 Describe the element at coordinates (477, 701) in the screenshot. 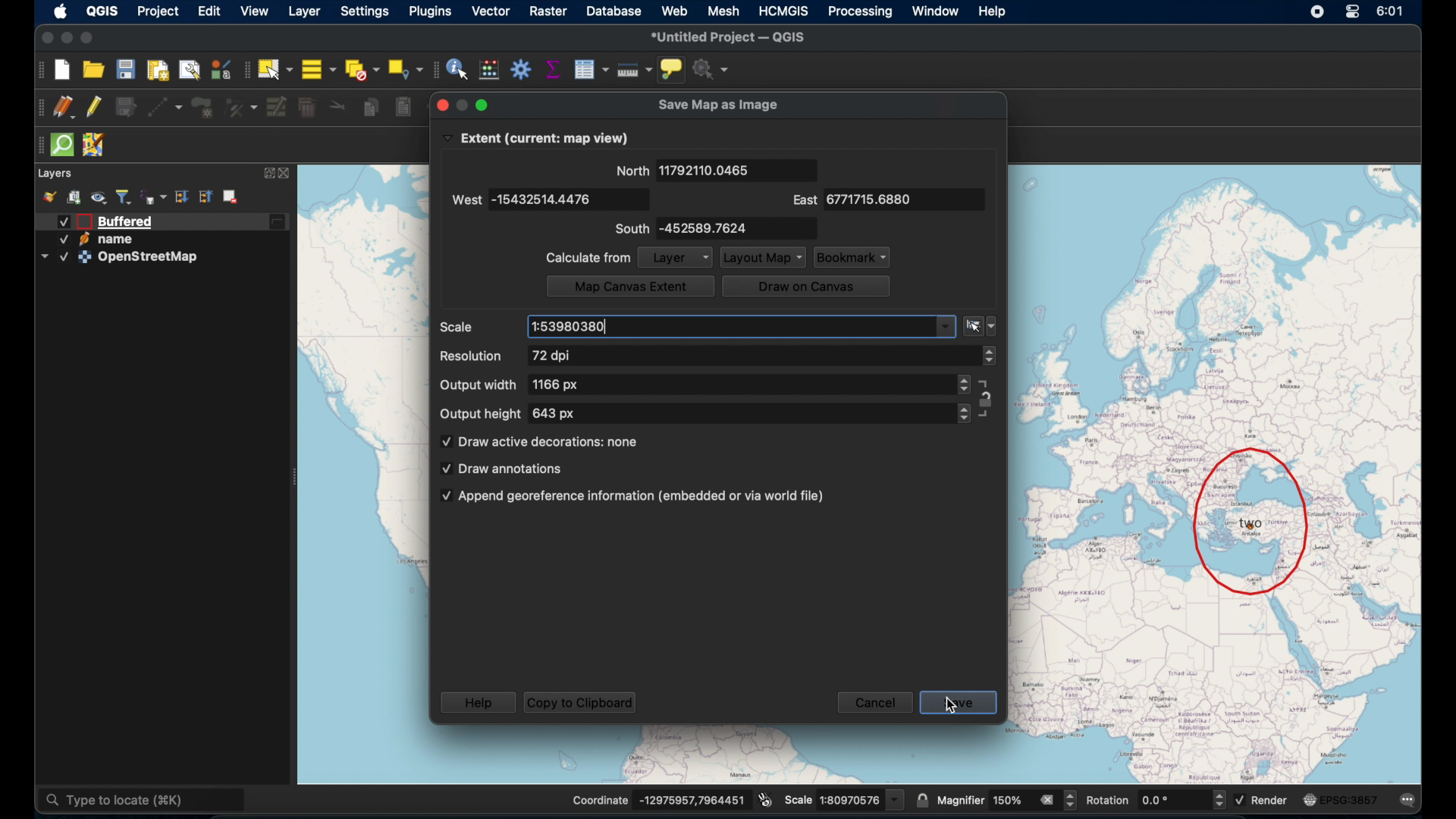

I see `help` at that location.